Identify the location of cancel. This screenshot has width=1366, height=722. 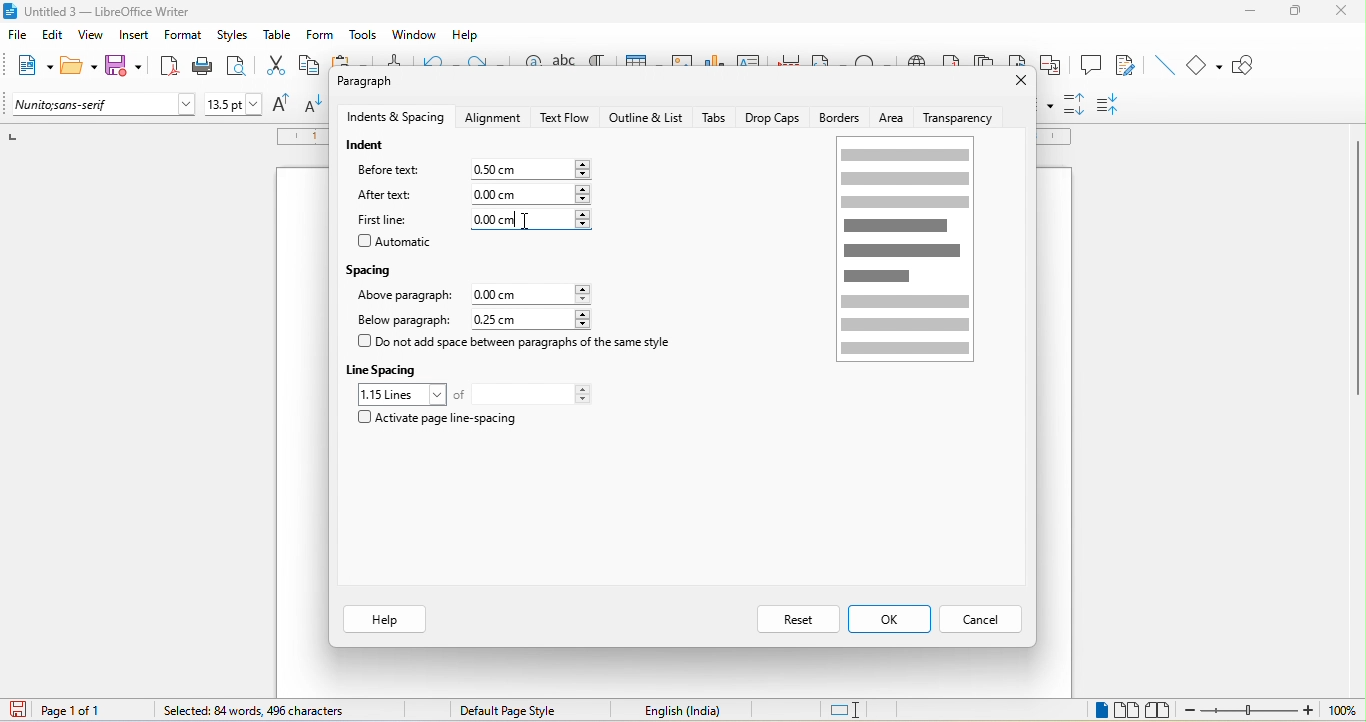
(981, 619).